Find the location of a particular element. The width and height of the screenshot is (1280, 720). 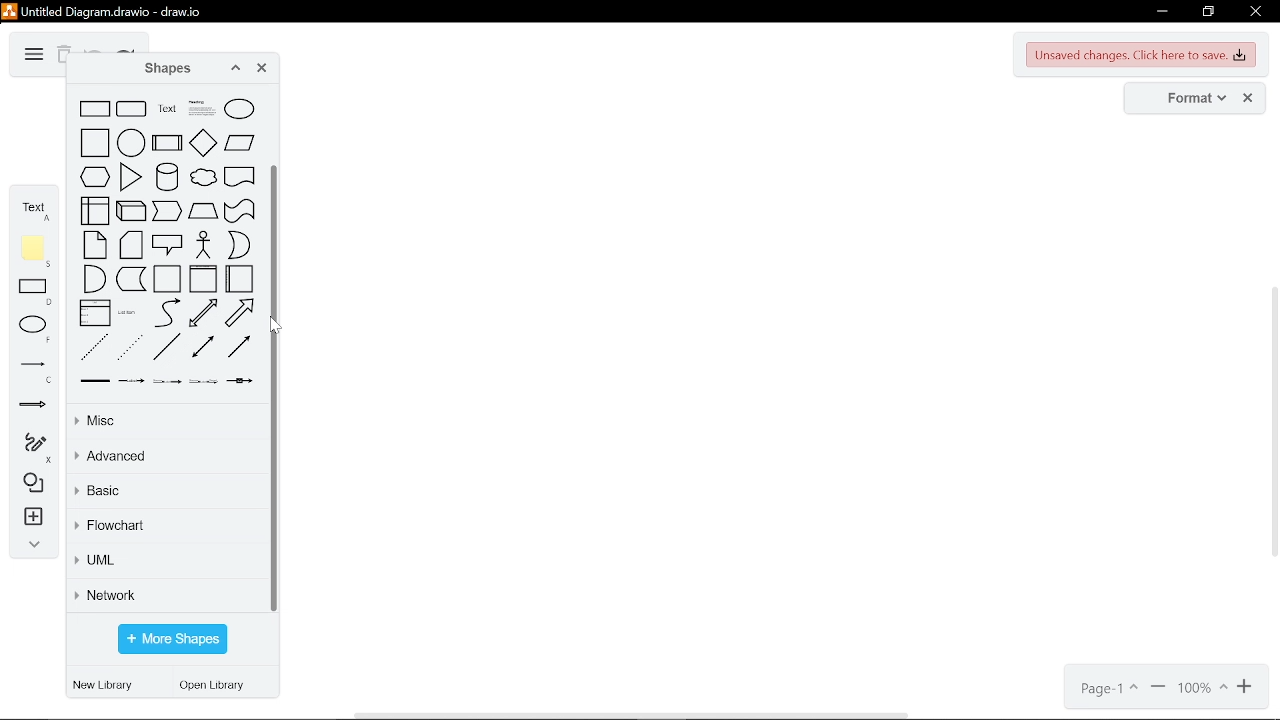

cloud is located at coordinates (203, 177).